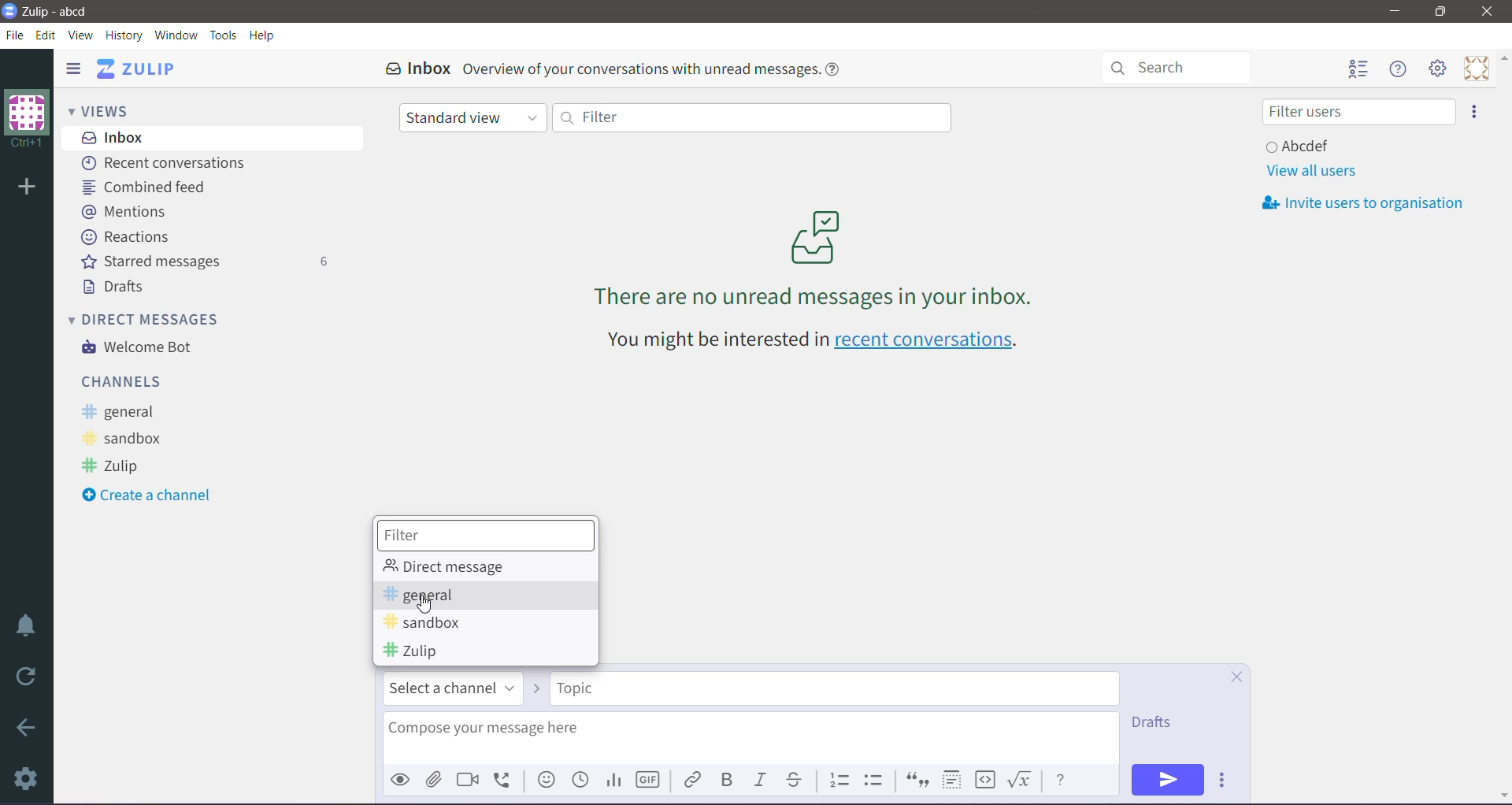 This screenshot has height=805, width=1512. What do you see at coordinates (46, 35) in the screenshot?
I see `Edit` at bounding box center [46, 35].